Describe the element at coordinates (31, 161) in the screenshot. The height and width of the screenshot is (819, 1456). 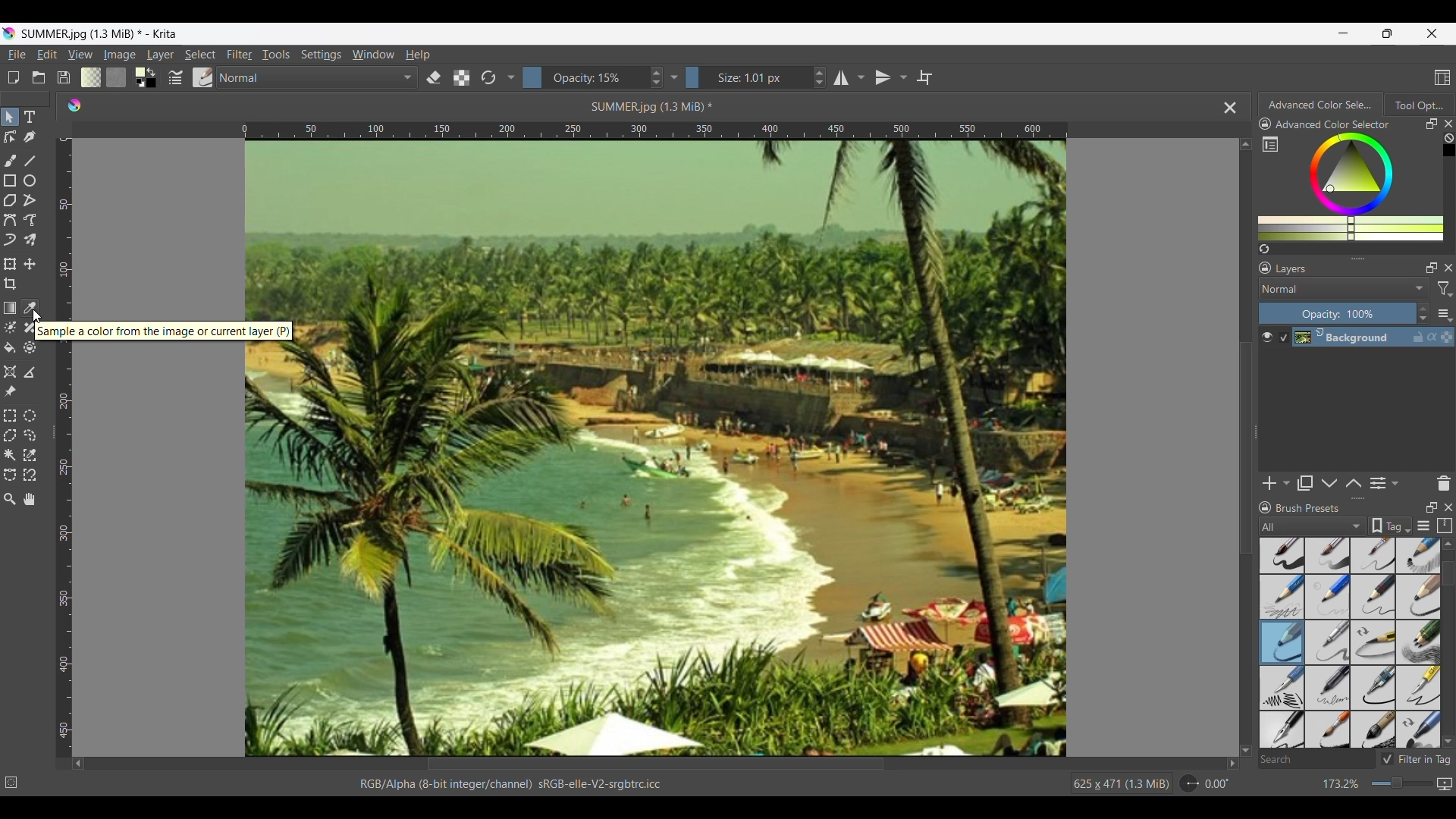
I see `Line tool` at that location.